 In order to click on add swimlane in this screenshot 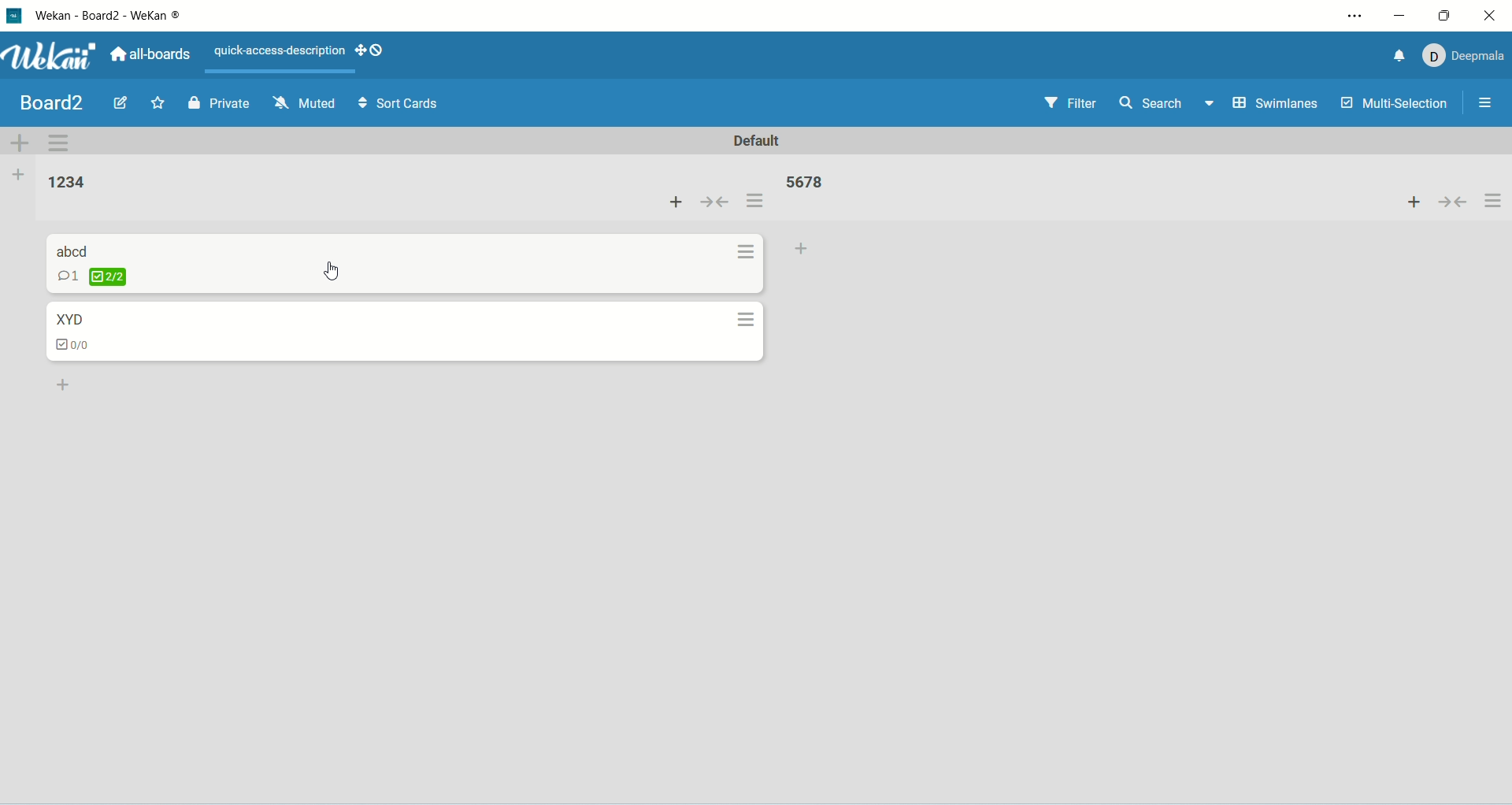, I will do `click(16, 139)`.